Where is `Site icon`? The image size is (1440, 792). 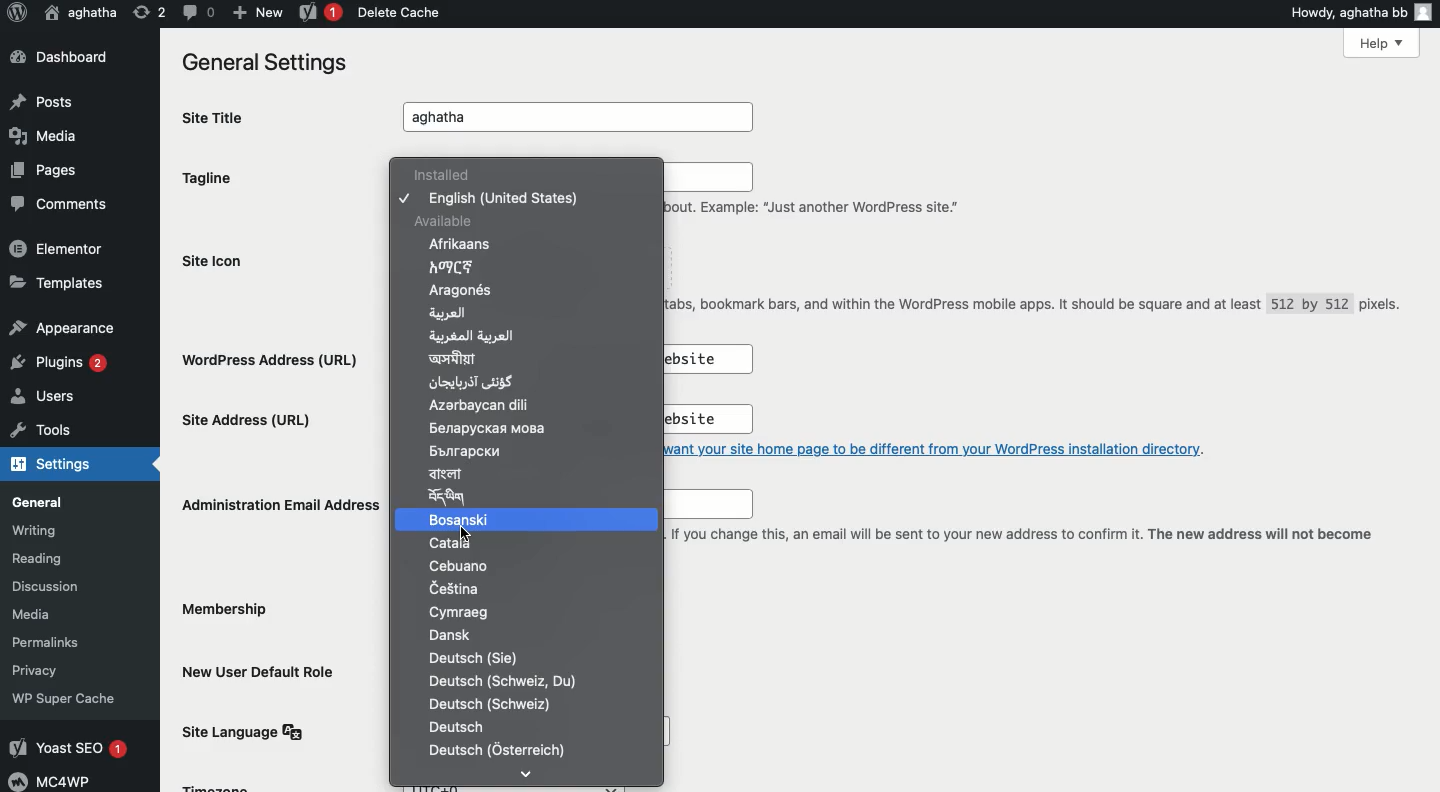 Site icon is located at coordinates (219, 261).